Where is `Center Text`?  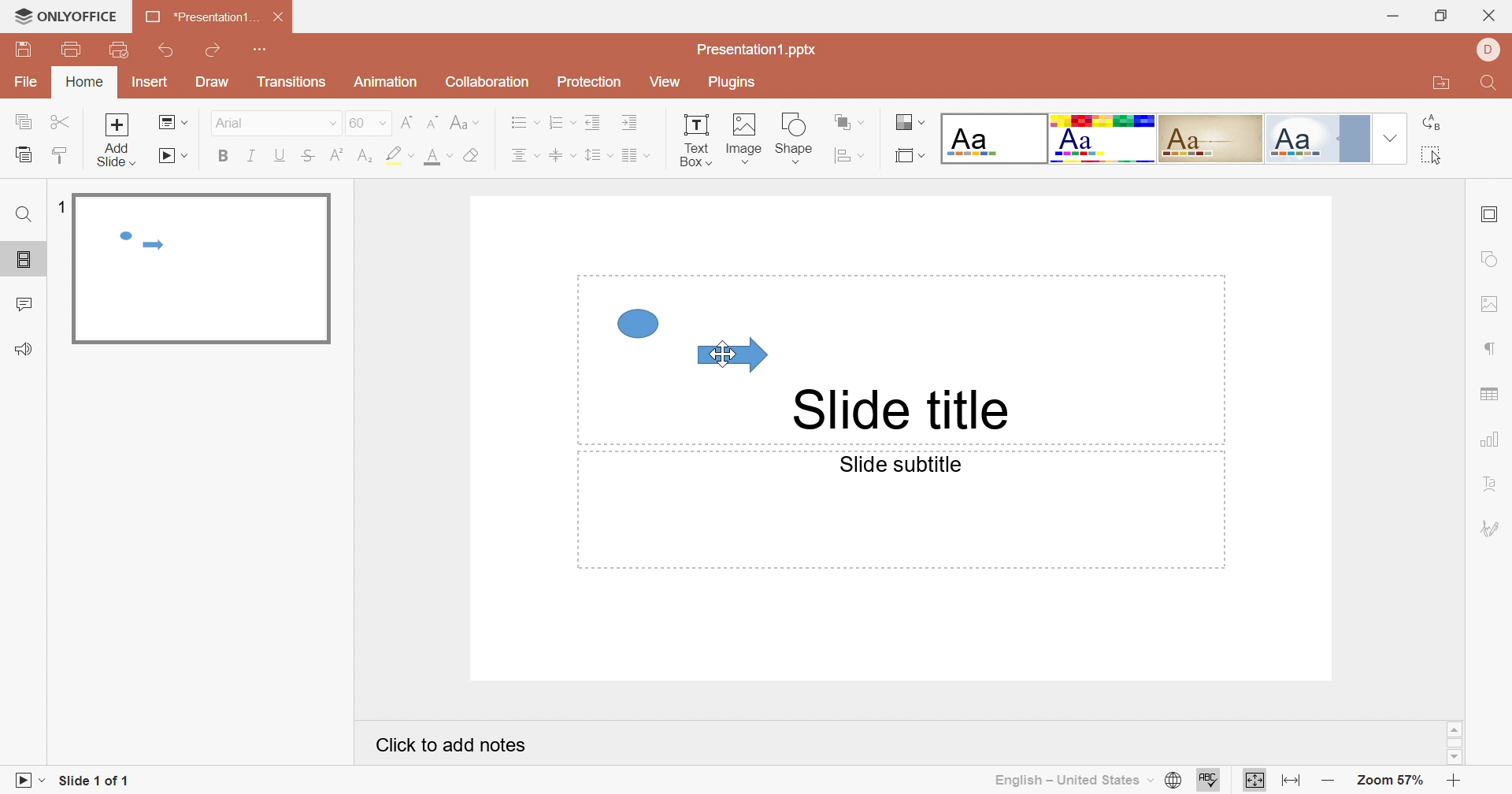
Center Text is located at coordinates (525, 157).